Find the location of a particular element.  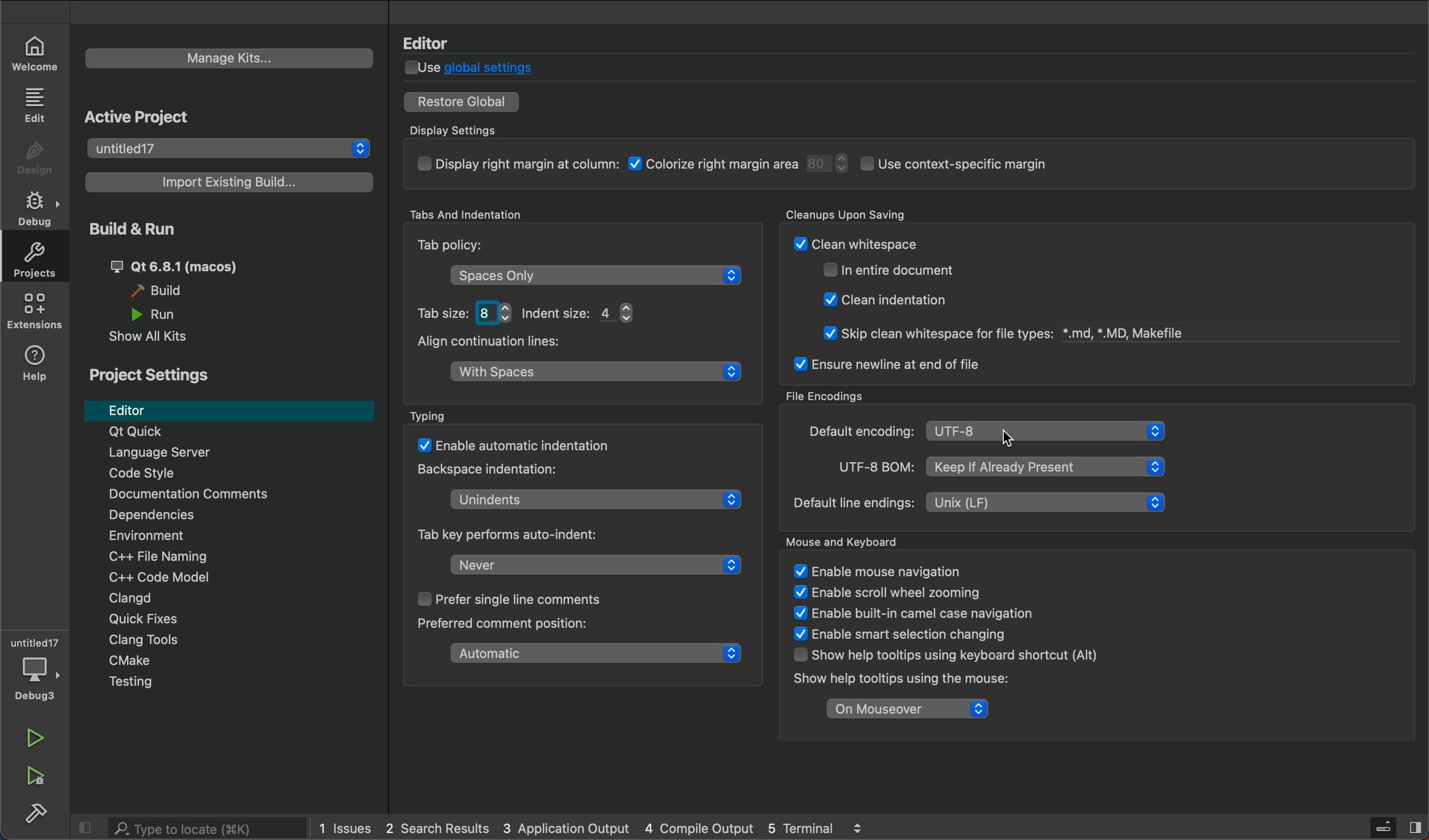

restore to global is located at coordinates (460, 102).